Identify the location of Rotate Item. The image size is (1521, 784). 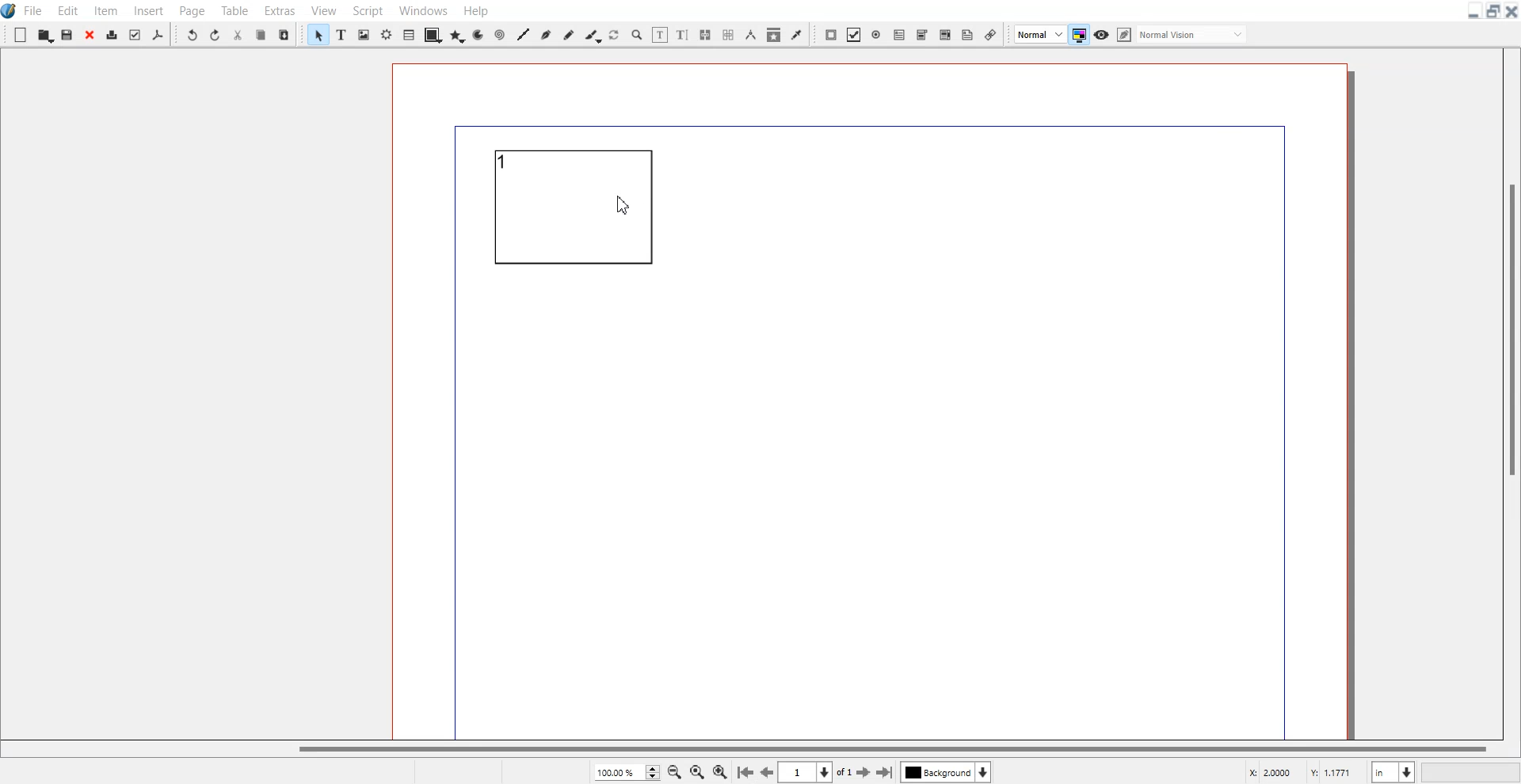
(613, 35).